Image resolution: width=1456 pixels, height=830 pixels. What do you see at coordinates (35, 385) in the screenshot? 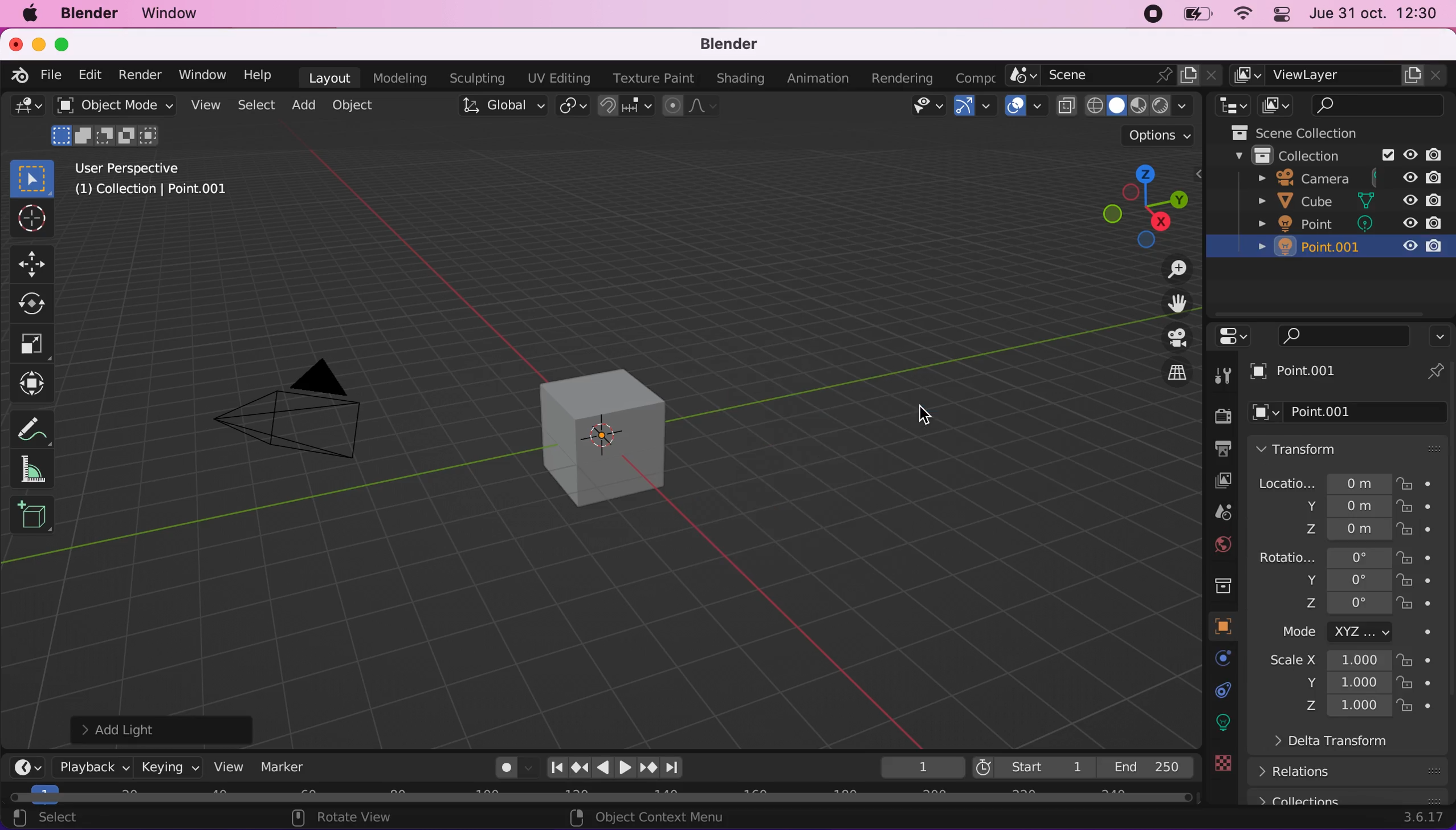
I see `transform` at bounding box center [35, 385].